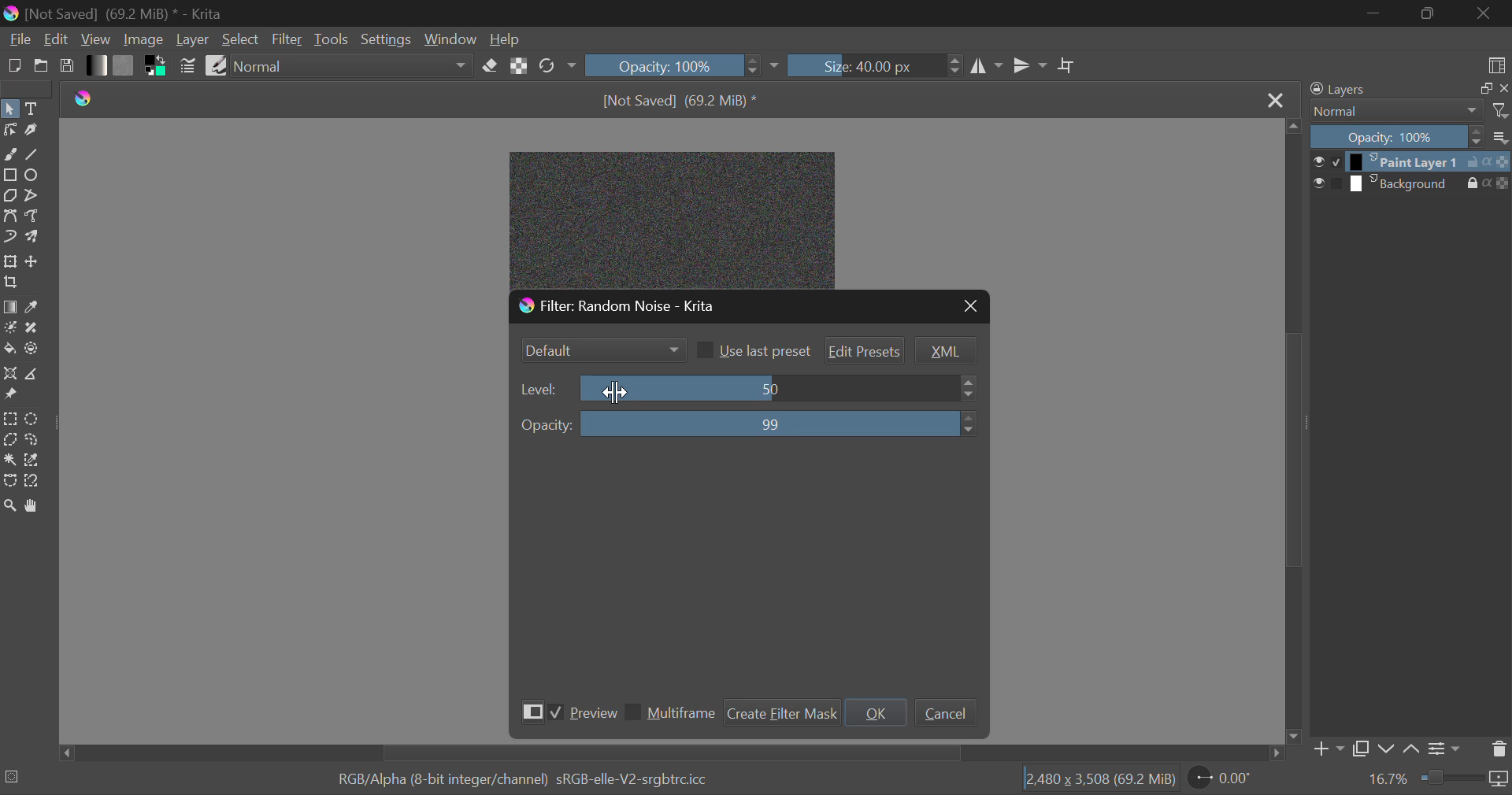 The image size is (1512, 795). What do you see at coordinates (684, 99) in the screenshot?
I see `[not saved] (69.2 mib)*` at bounding box center [684, 99].